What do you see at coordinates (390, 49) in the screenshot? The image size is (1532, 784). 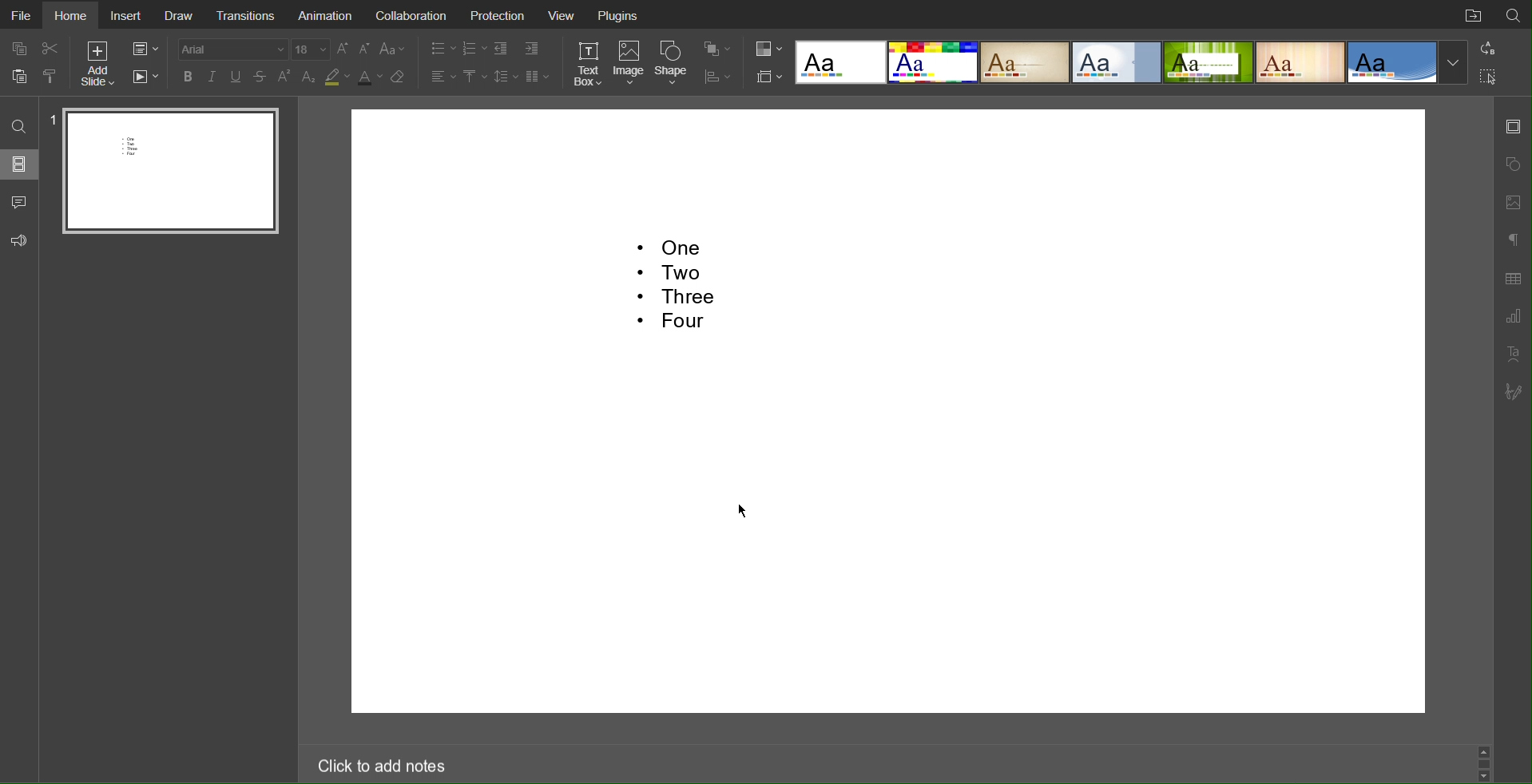 I see `Text Case Settings` at bounding box center [390, 49].